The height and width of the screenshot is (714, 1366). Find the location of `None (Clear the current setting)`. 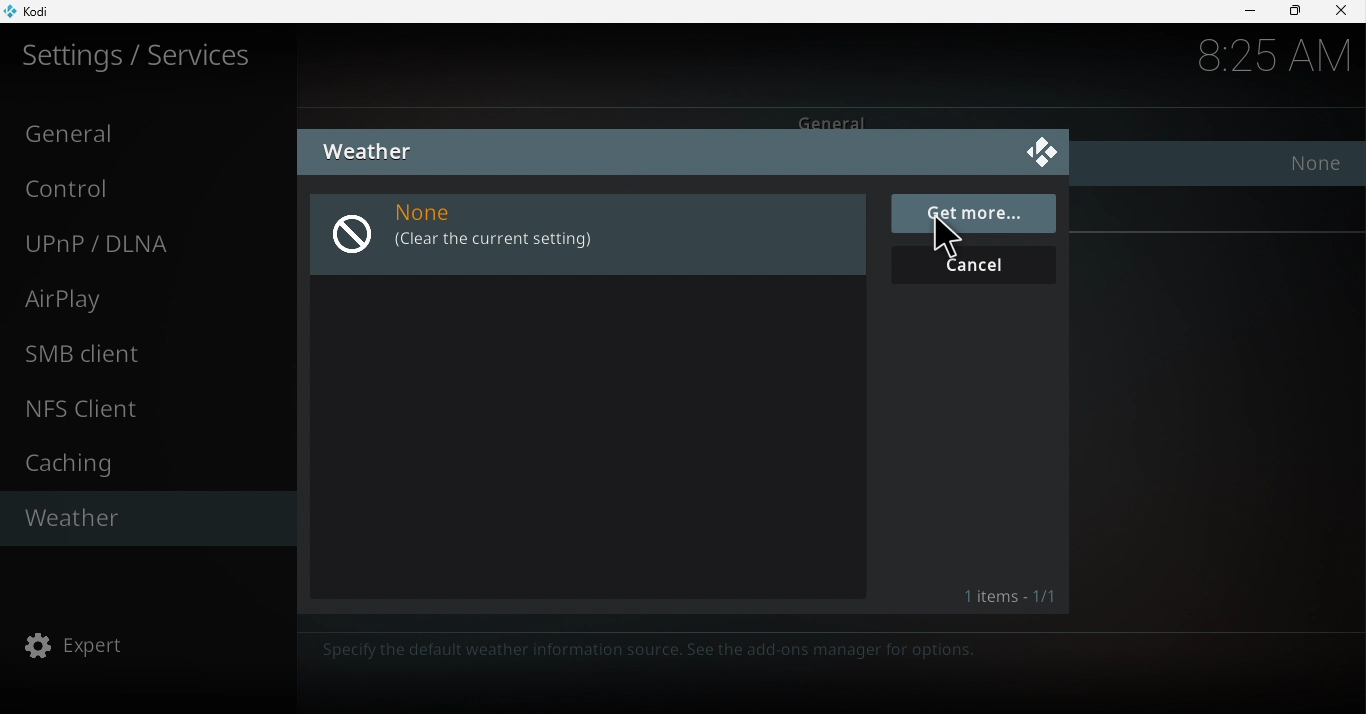

None (Clear the current setting) is located at coordinates (592, 236).